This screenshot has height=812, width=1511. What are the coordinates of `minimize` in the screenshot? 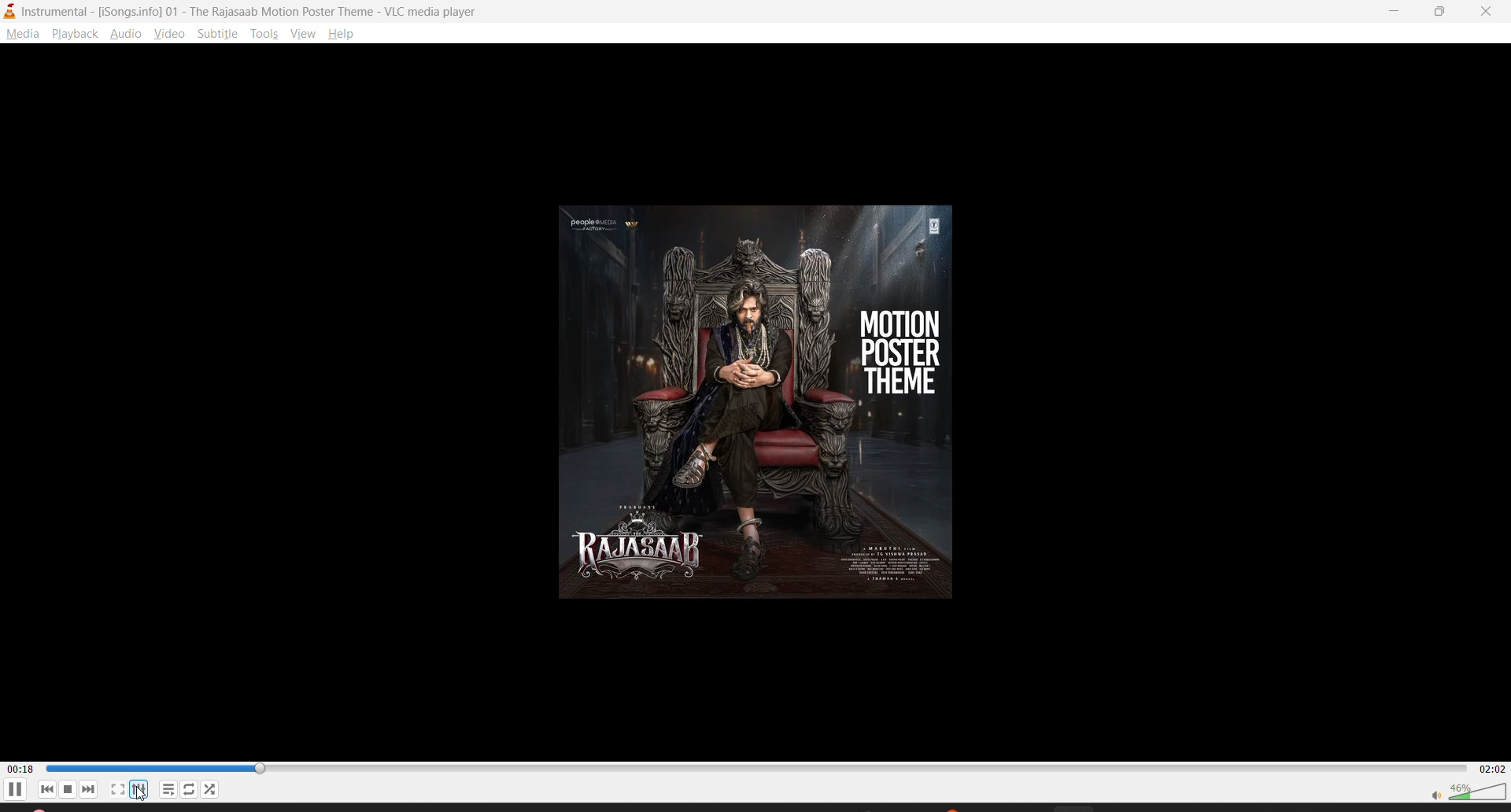 It's located at (1398, 11).